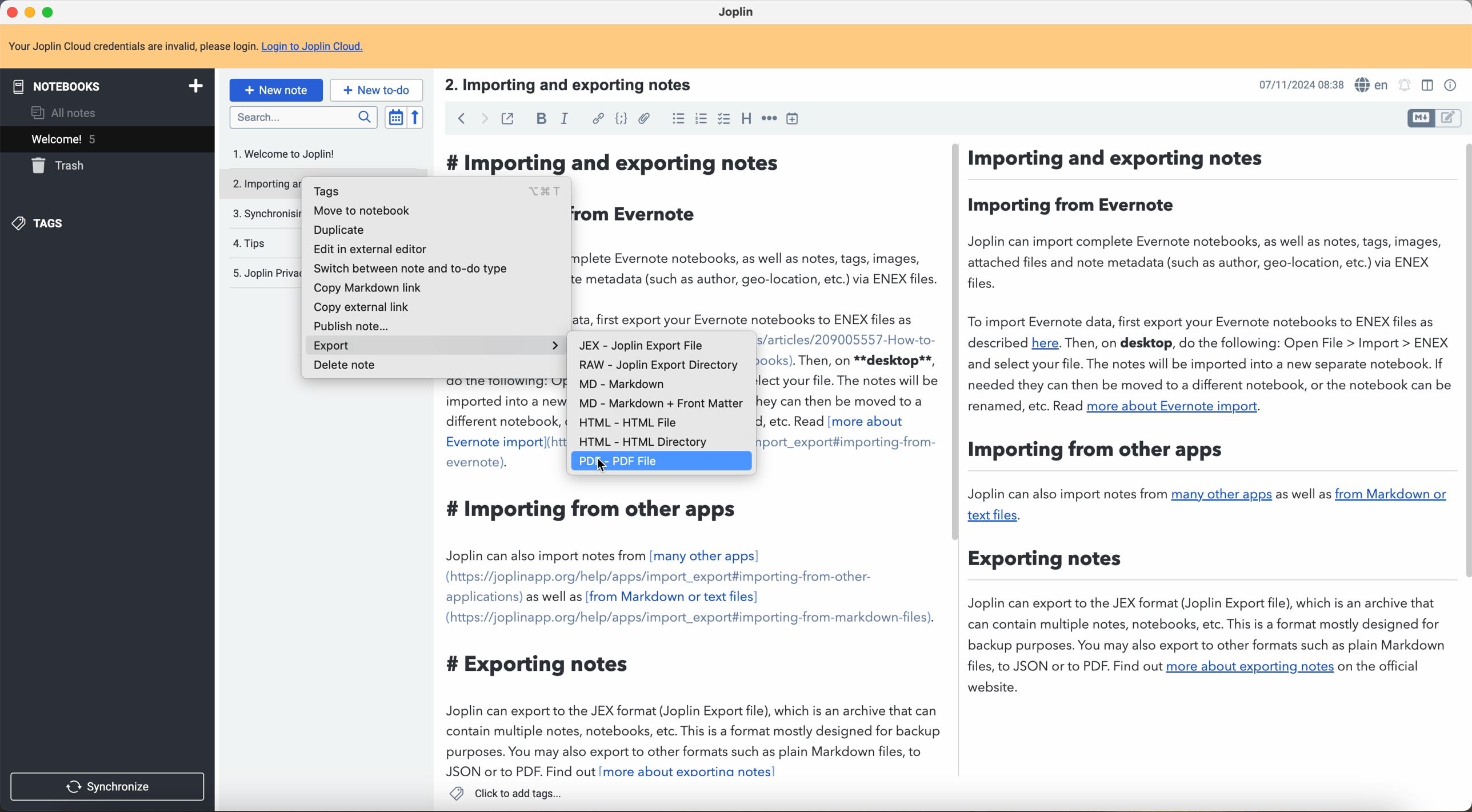  Describe the element at coordinates (259, 183) in the screenshot. I see `importing` at that location.